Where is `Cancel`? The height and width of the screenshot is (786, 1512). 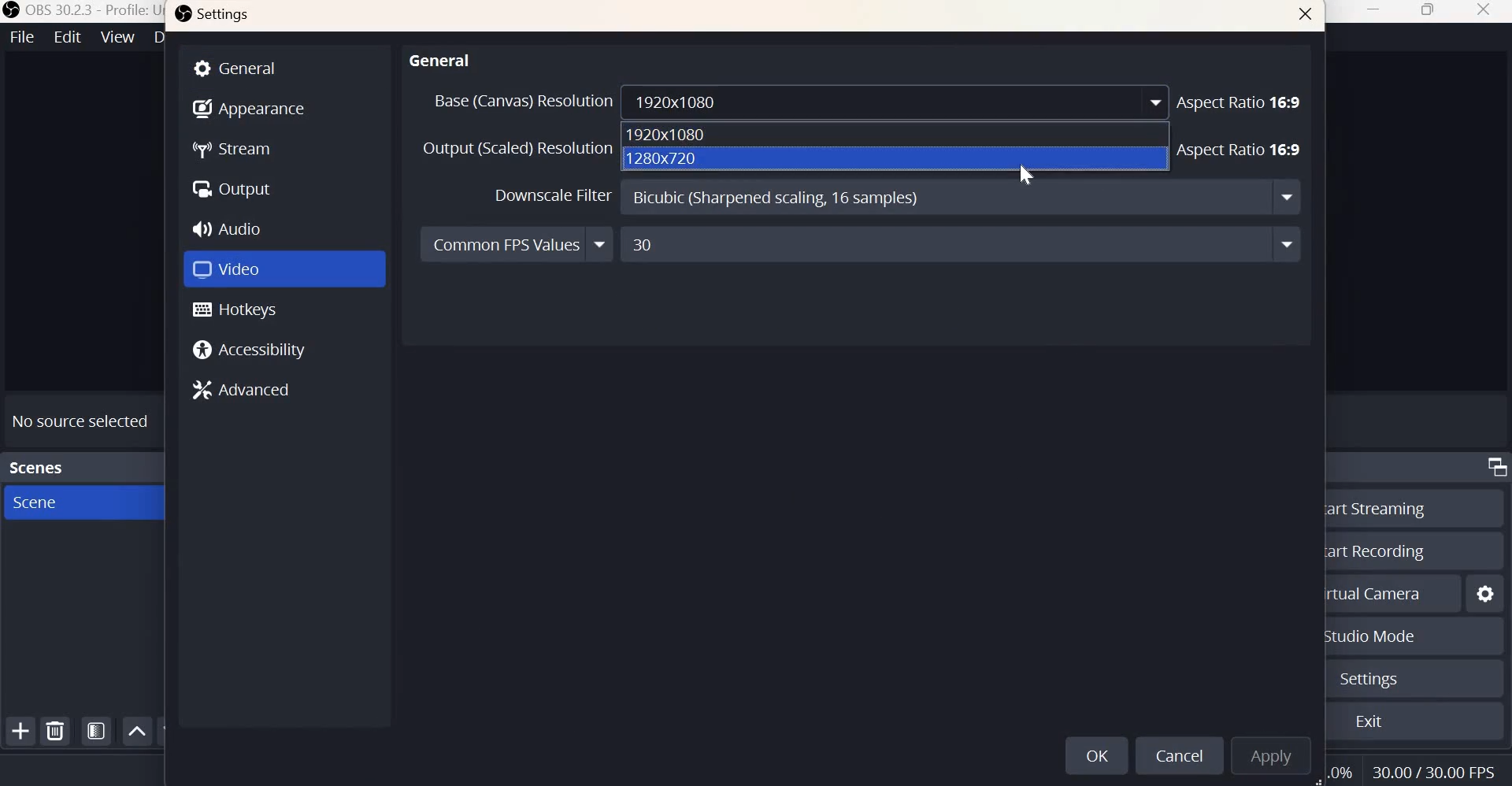 Cancel is located at coordinates (1177, 754).